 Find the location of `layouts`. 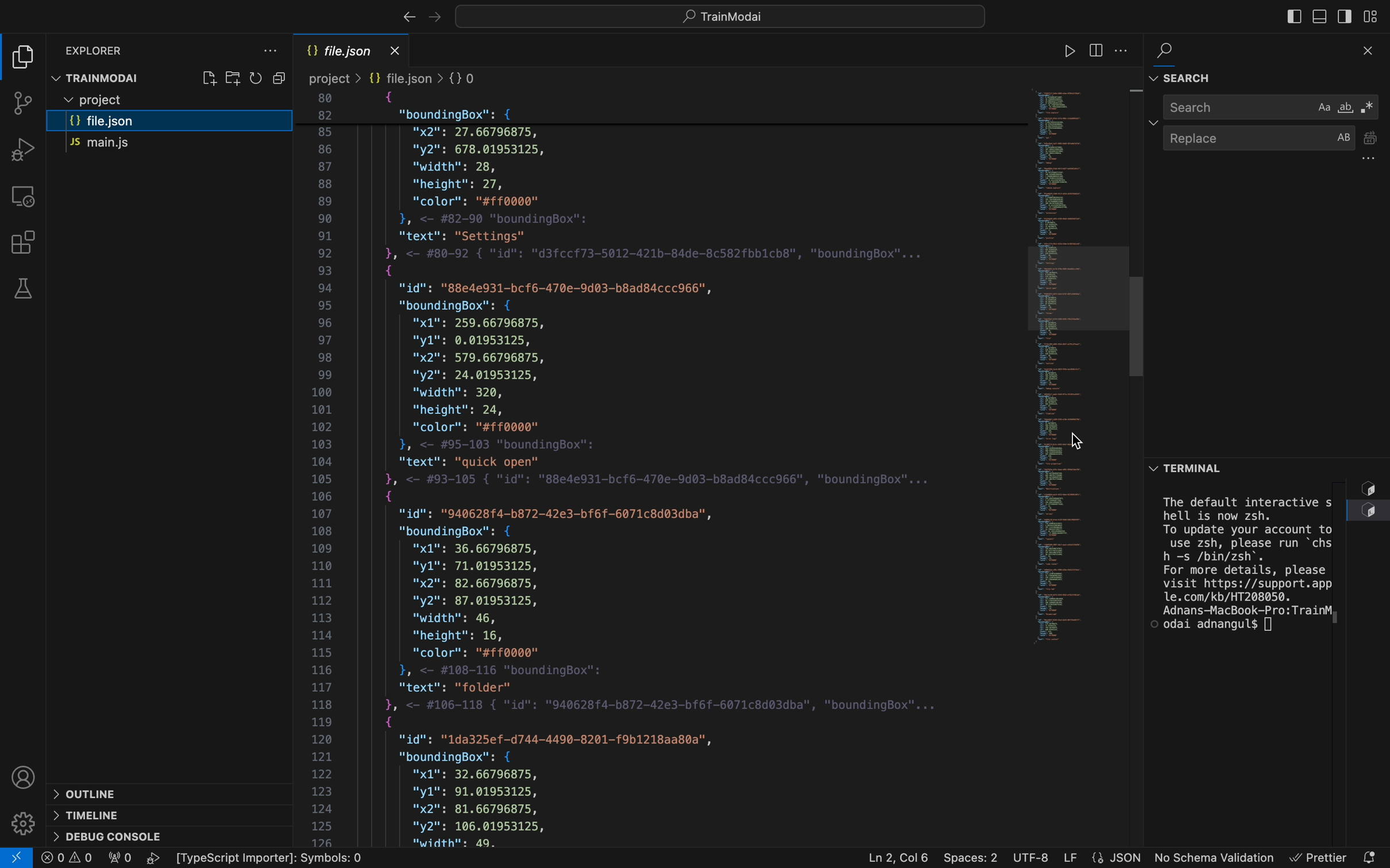

layouts is located at coordinates (1374, 15).